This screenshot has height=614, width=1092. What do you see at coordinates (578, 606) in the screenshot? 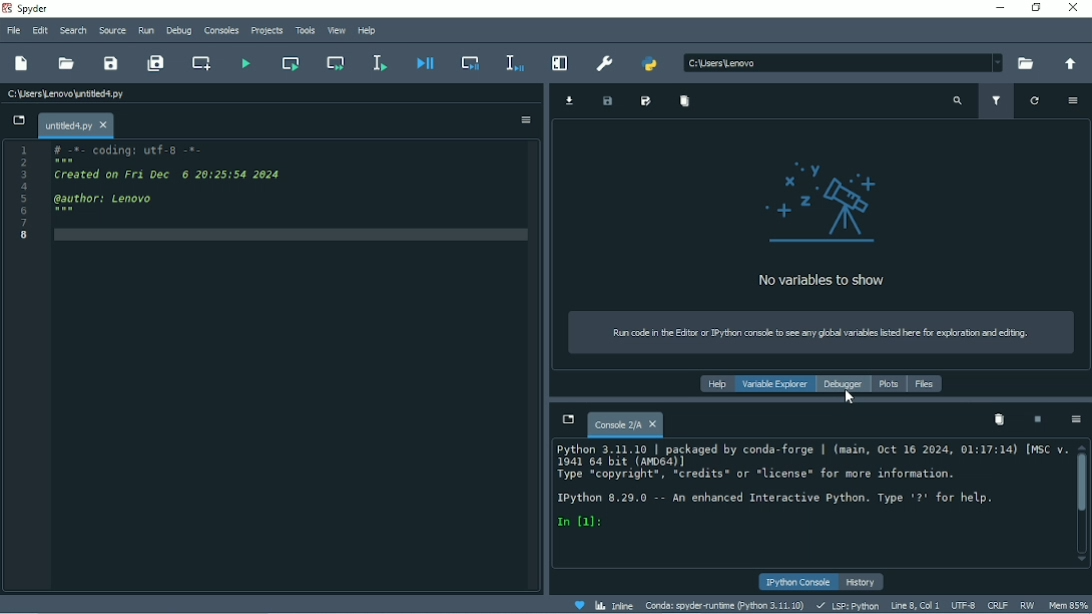
I see `Help spyder` at bounding box center [578, 606].